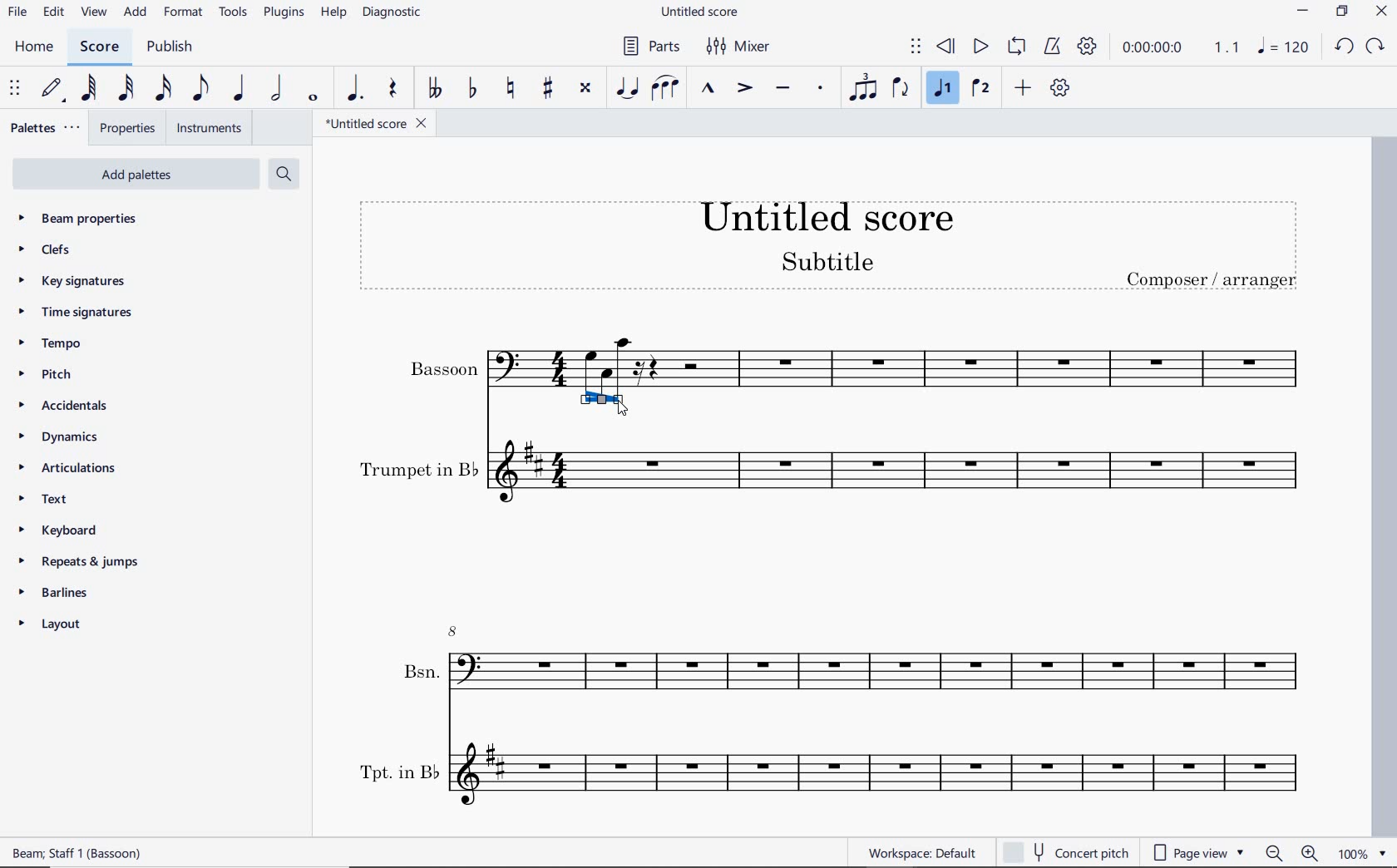 The image size is (1397, 868). Describe the element at coordinates (1303, 12) in the screenshot. I see `MINIMIZE` at that location.